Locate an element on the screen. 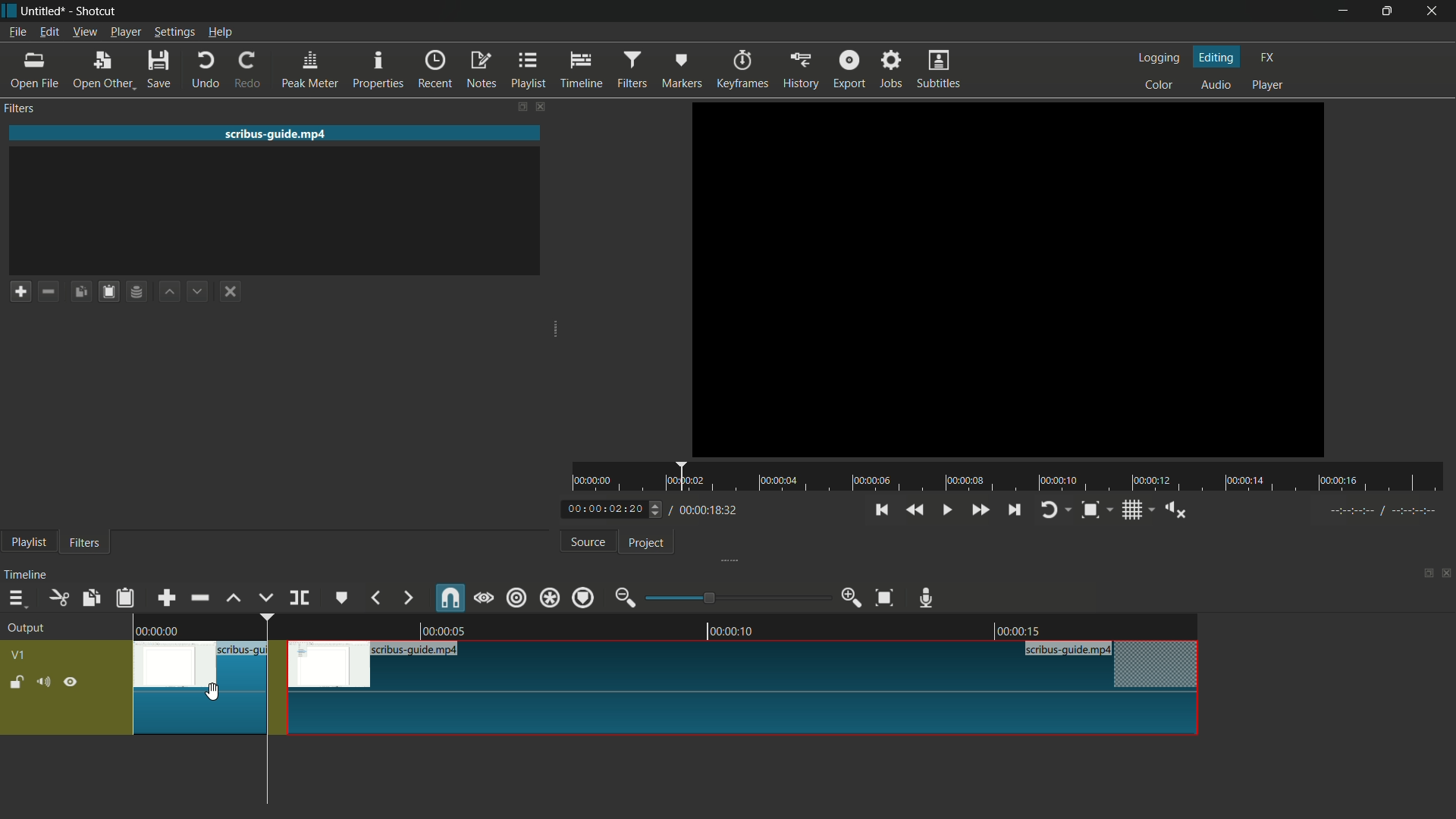 Image resolution: width=1456 pixels, height=819 pixels. close filters is located at coordinates (539, 105).